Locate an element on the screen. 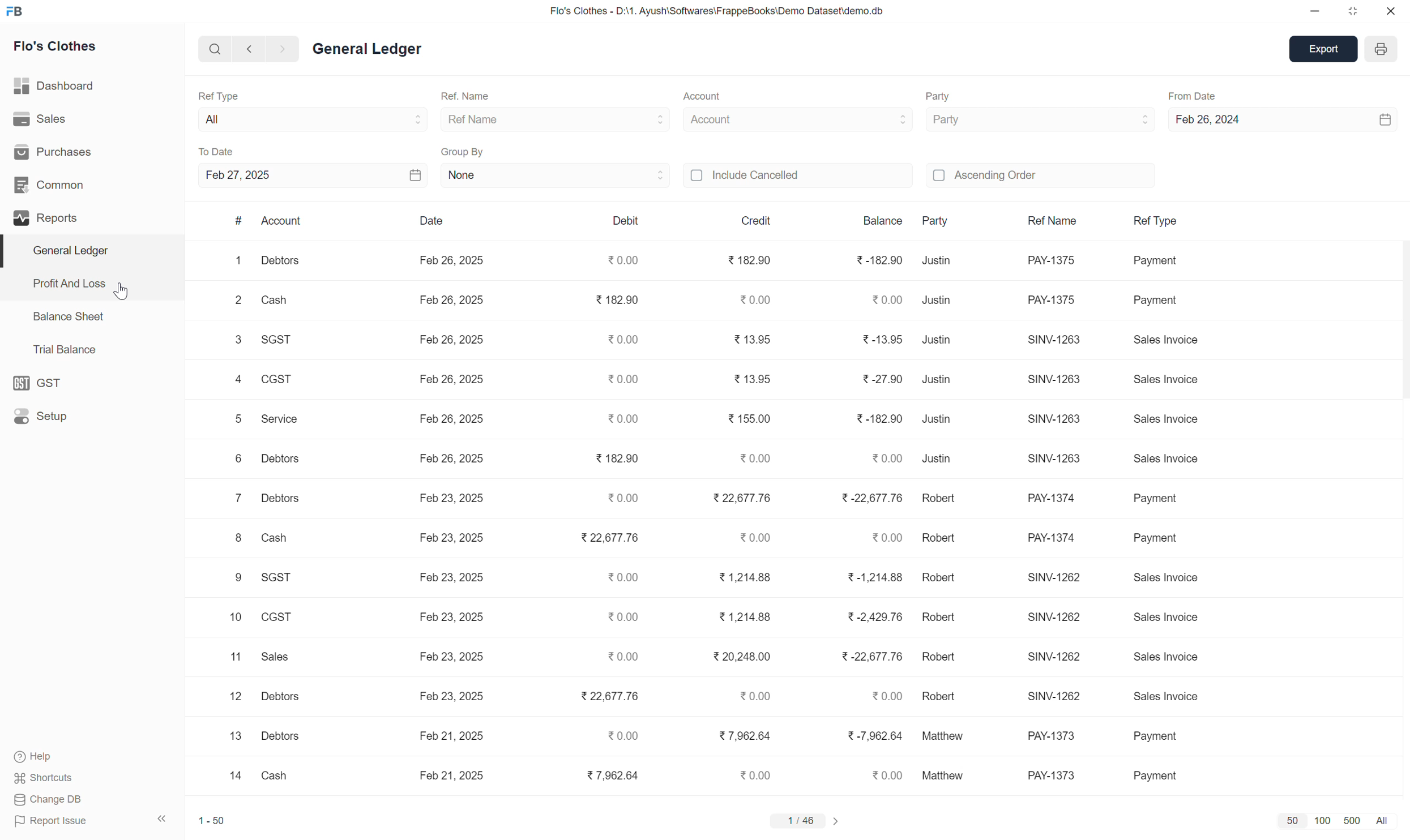 This screenshot has width=1410, height=840. minimize is located at coordinates (1316, 9).